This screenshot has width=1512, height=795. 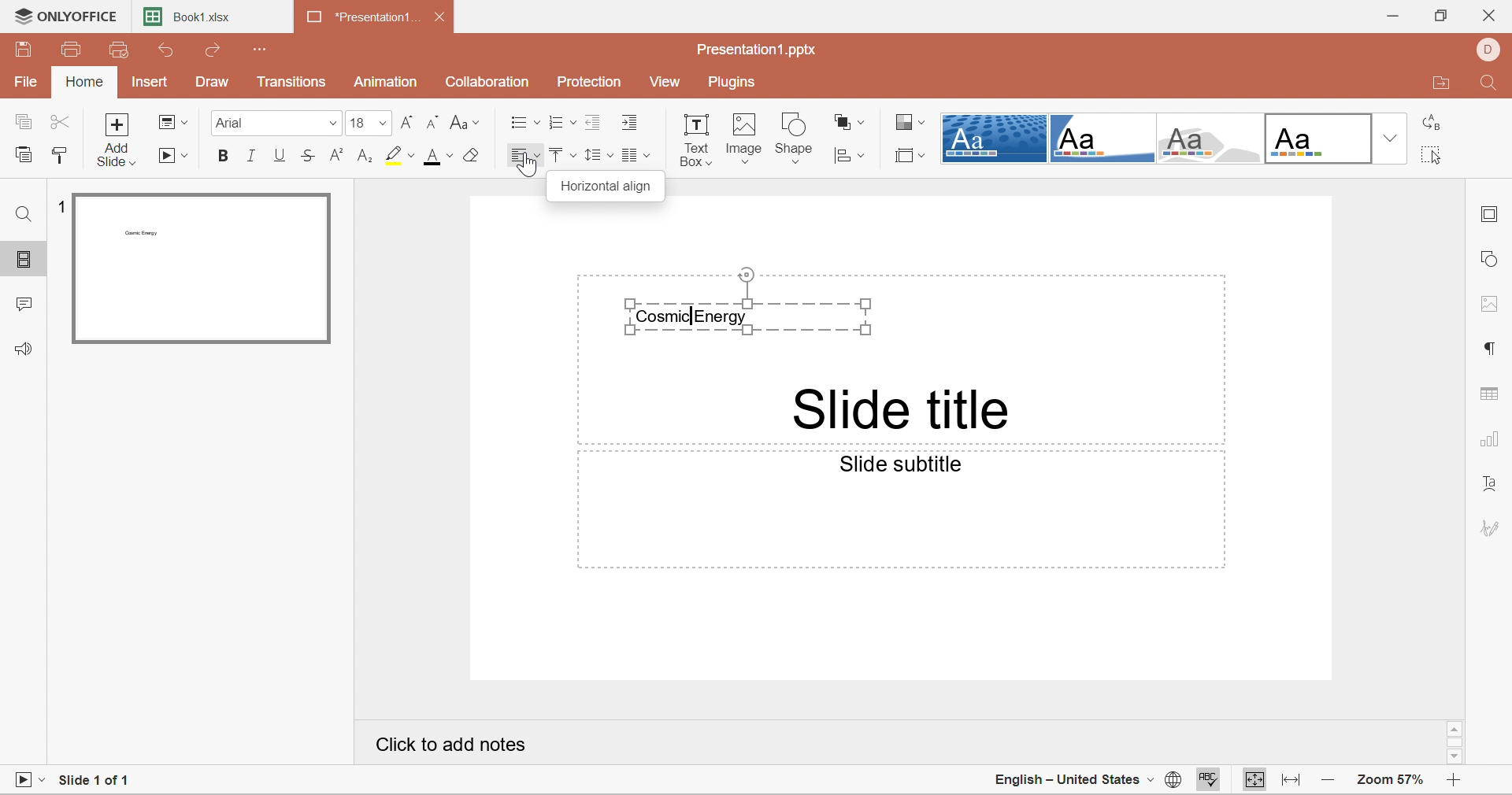 I want to click on Insert columns, so click(x=639, y=157).